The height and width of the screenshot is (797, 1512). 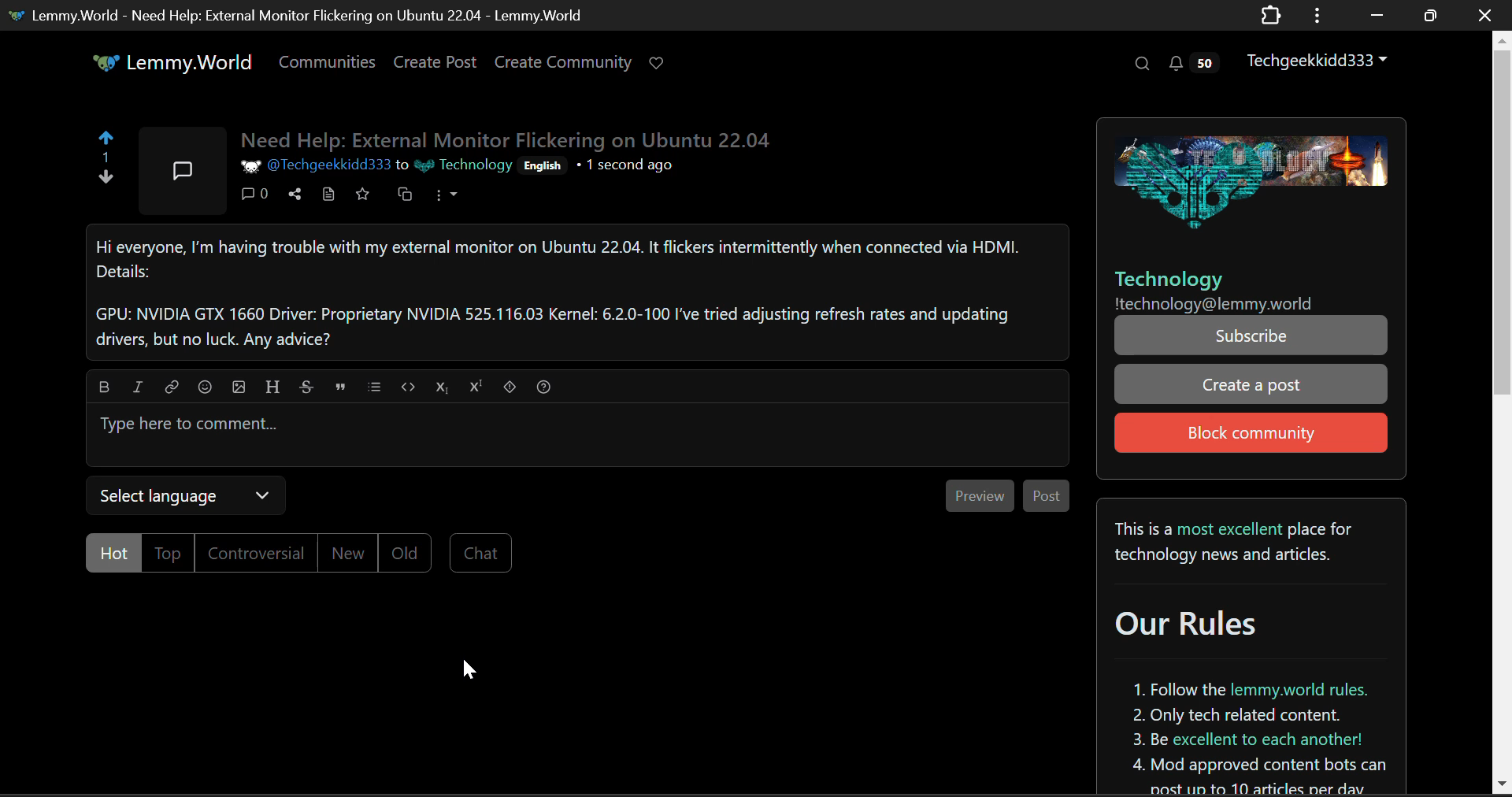 I want to click on !technology@lemmy.world, so click(x=1214, y=305).